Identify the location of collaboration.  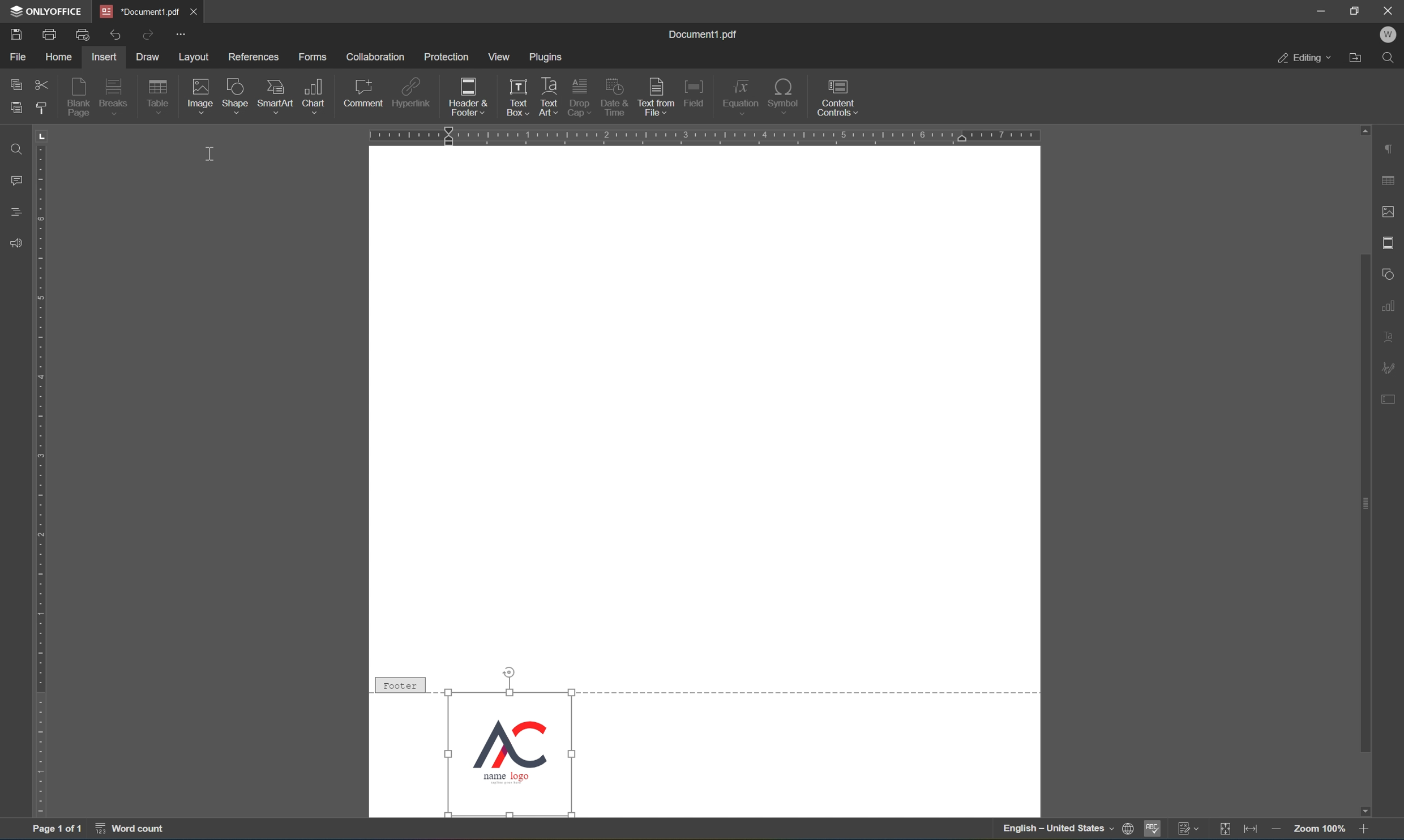
(376, 57).